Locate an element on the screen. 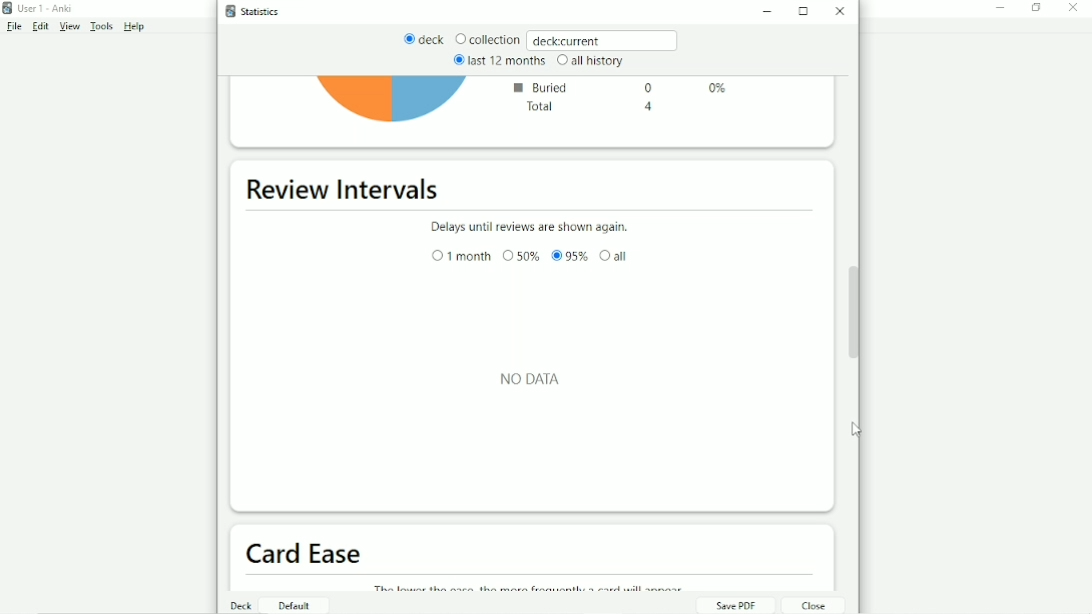 Image resolution: width=1092 pixels, height=614 pixels. Total 4 is located at coordinates (589, 108).